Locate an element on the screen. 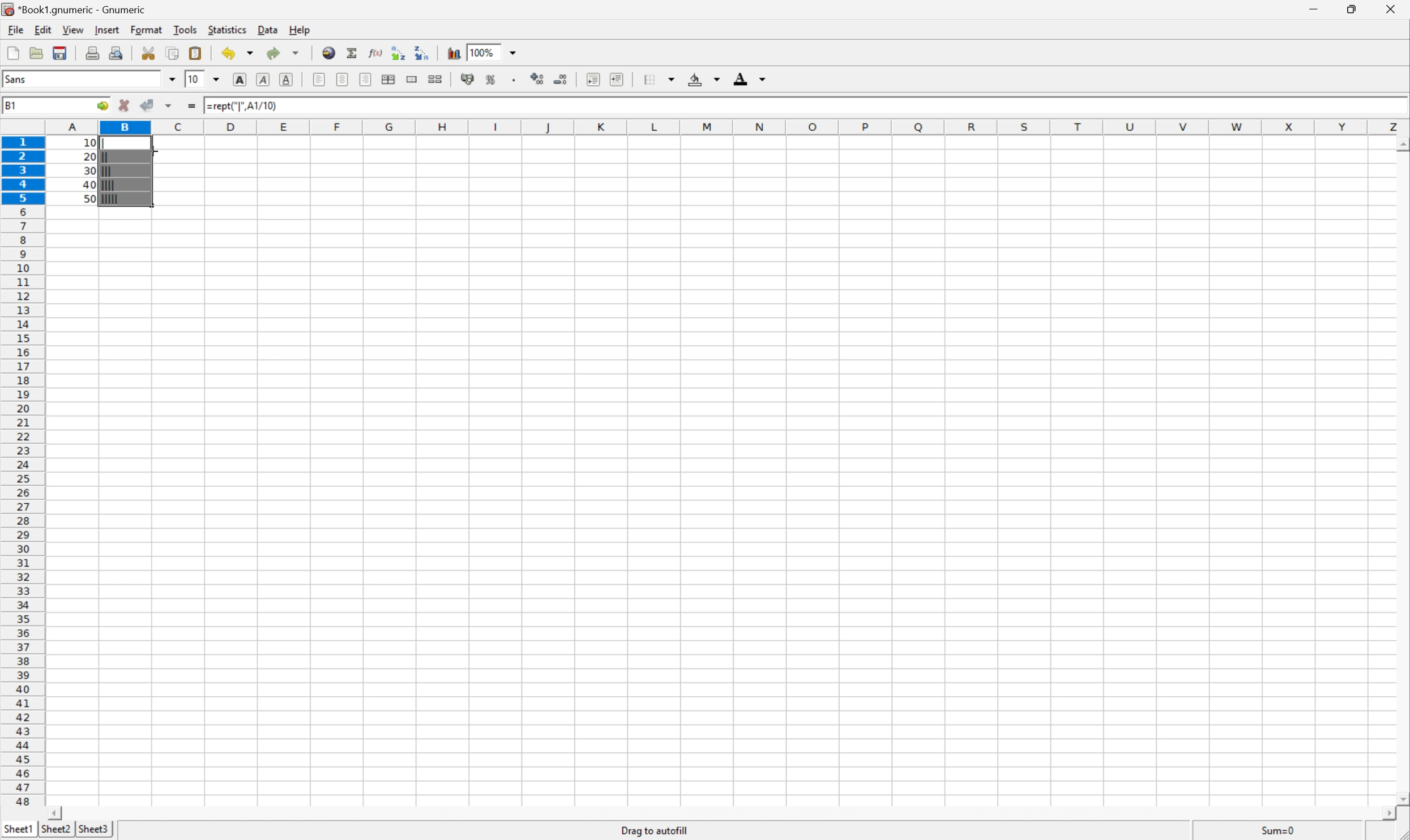 The height and width of the screenshot is (840, 1410). ||||| is located at coordinates (111, 201).